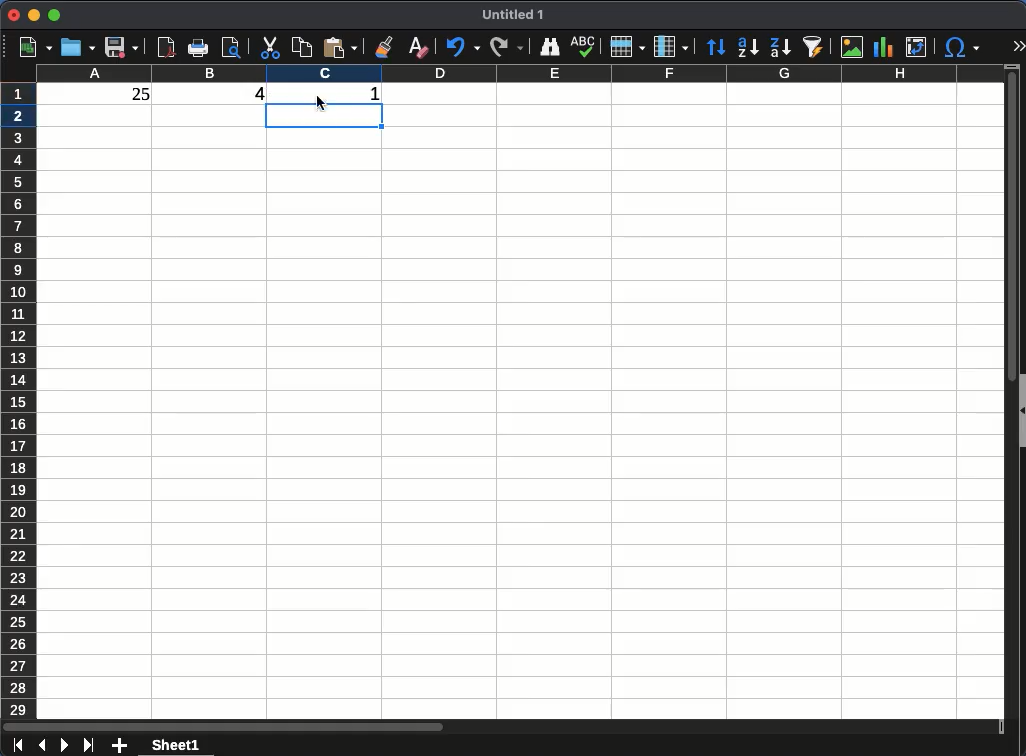  Describe the element at coordinates (383, 46) in the screenshot. I see `clone formatting` at that location.